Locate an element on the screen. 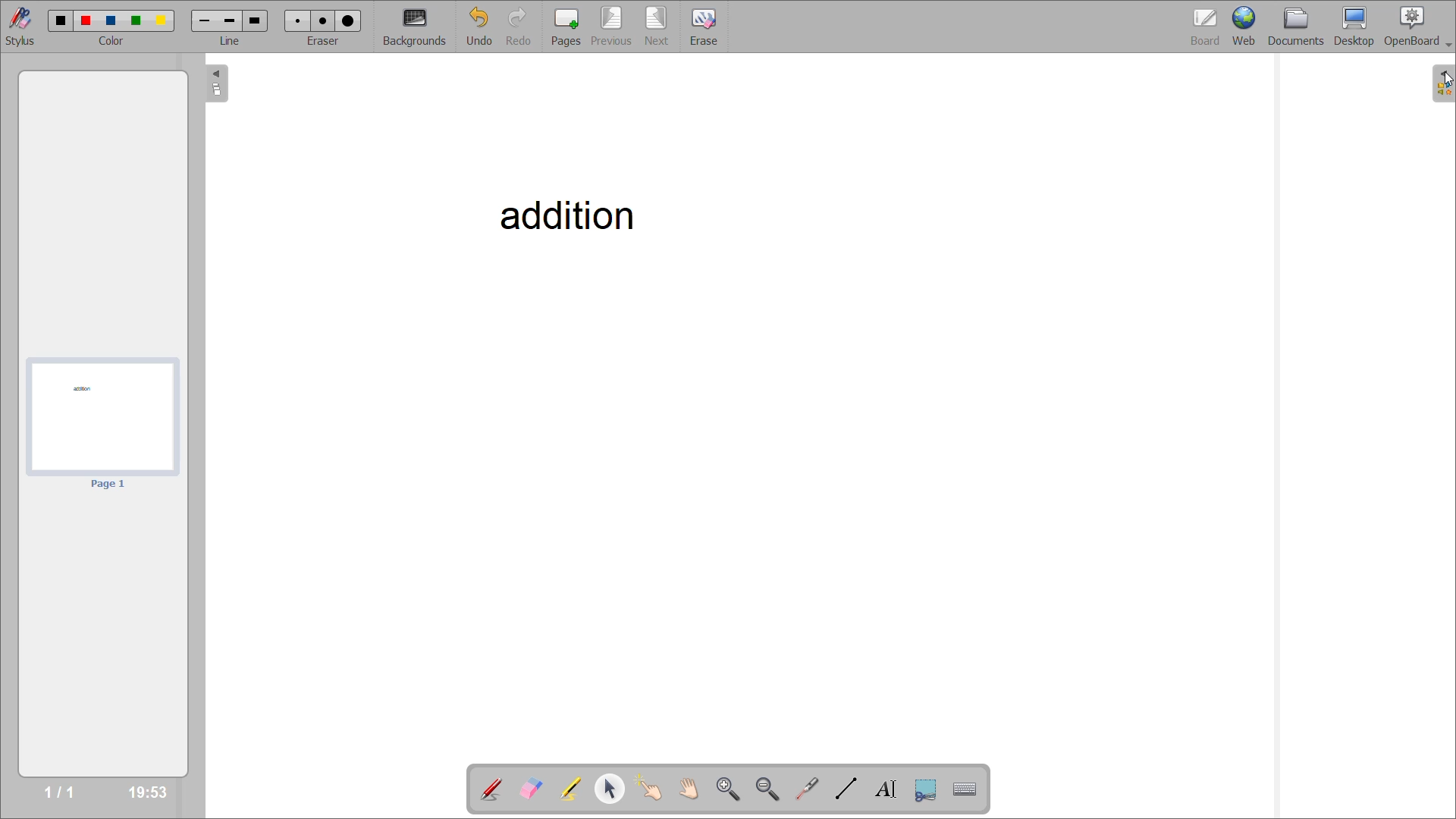 Image resolution: width=1456 pixels, height=819 pixels. undo is located at coordinates (486, 27).